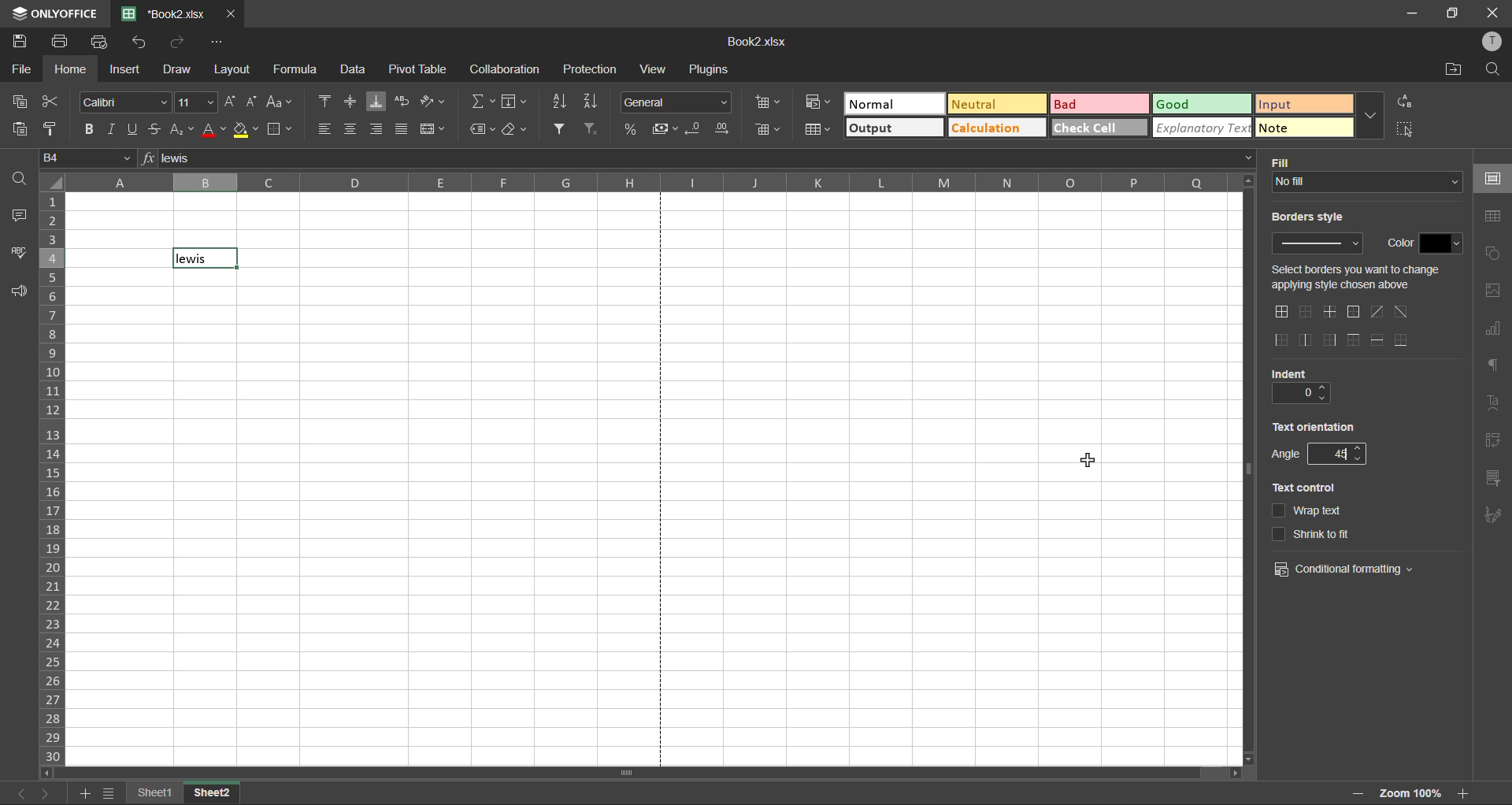 The height and width of the screenshot is (805, 1512). I want to click on clear, so click(514, 129).